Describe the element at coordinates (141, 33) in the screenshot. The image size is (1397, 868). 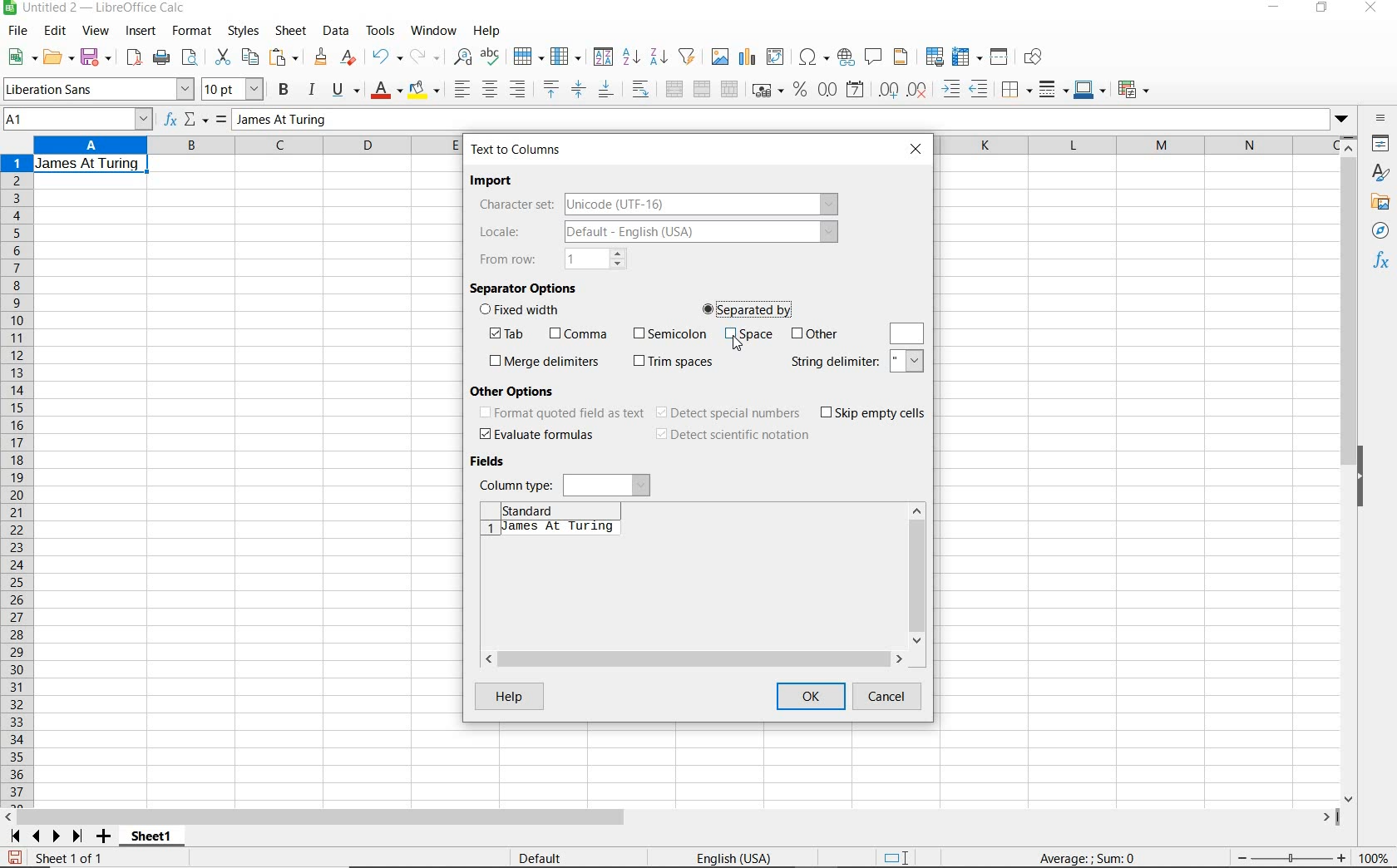
I see `insert` at that location.